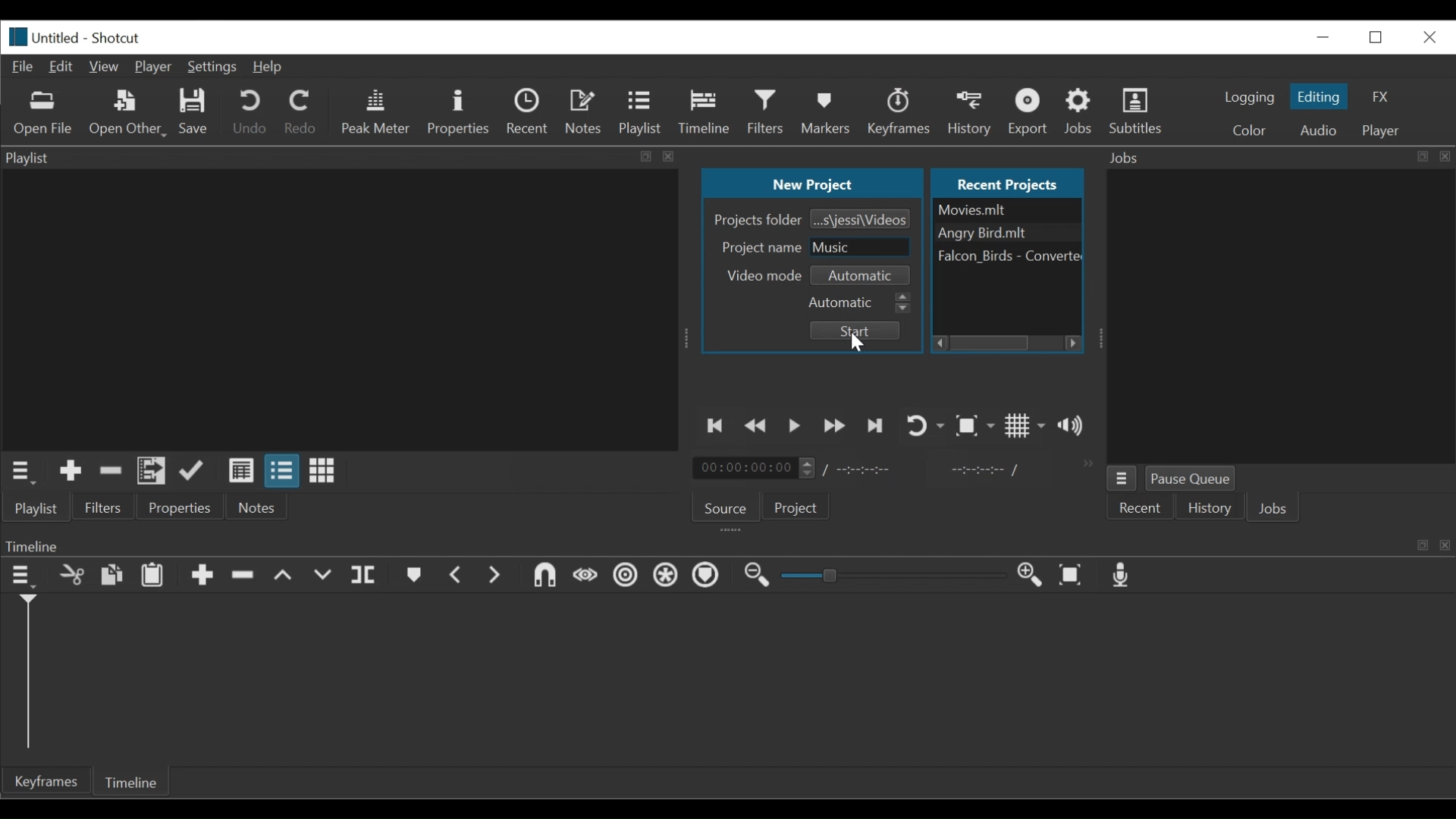 Image resolution: width=1456 pixels, height=819 pixels. I want to click on Restore, so click(1377, 37).